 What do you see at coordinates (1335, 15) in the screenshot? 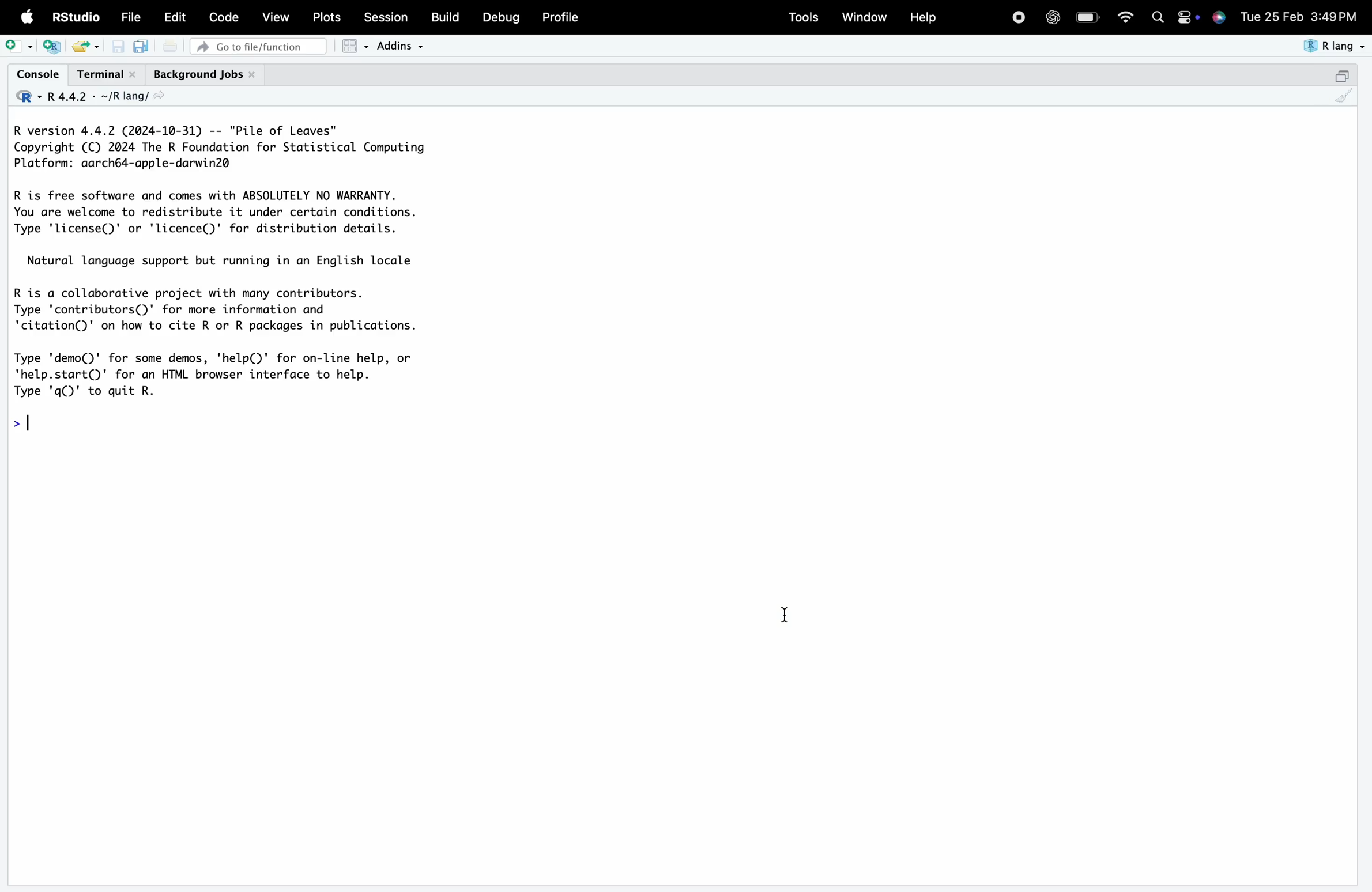
I see `3:48 PM` at bounding box center [1335, 15].